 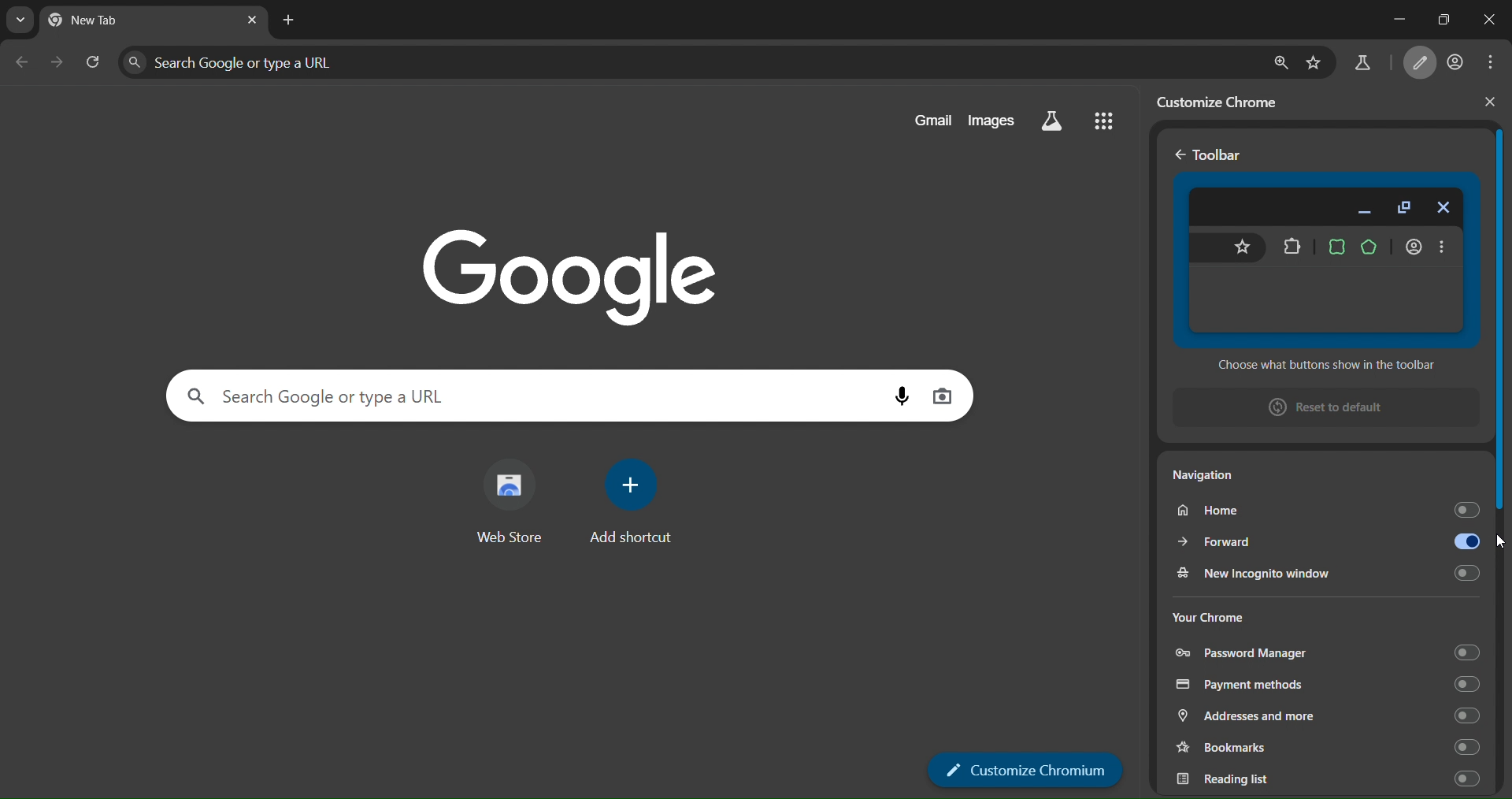 What do you see at coordinates (1104, 123) in the screenshot?
I see `menu` at bounding box center [1104, 123].